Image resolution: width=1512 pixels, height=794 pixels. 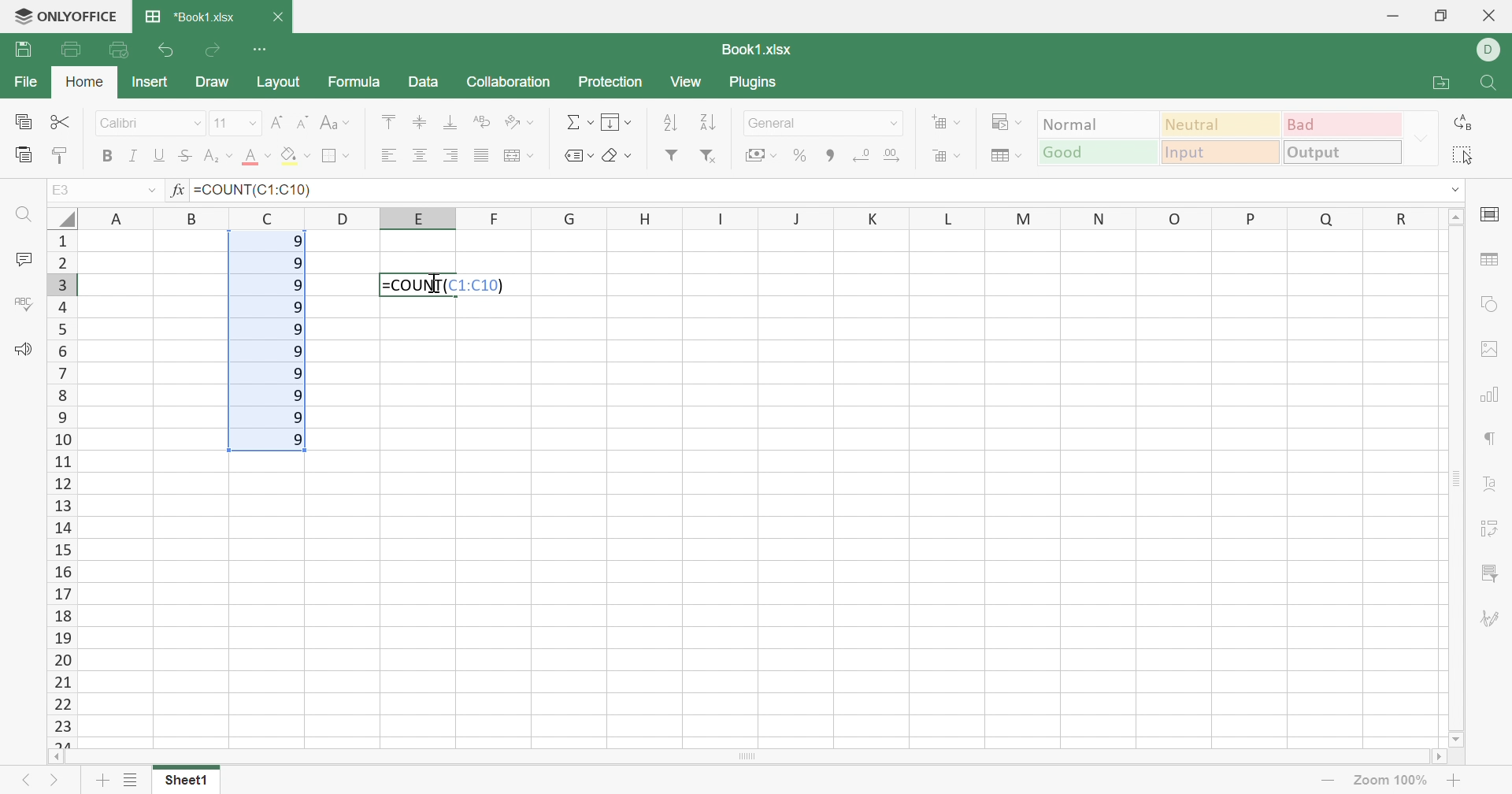 What do you see at coordinates (1491, 572) in the screenshot?
I see `Slicer settings` at bounding box center [1491, 572].